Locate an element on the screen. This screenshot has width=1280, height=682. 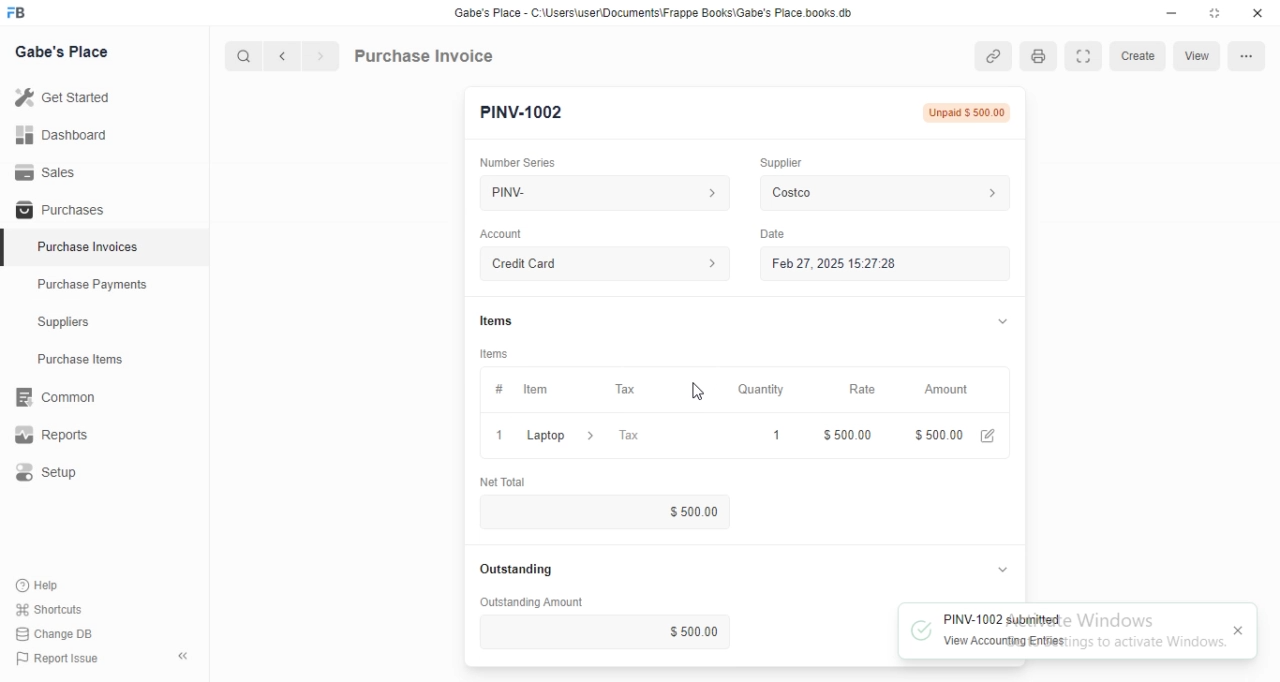
Next is located at coordinates (322, 56).